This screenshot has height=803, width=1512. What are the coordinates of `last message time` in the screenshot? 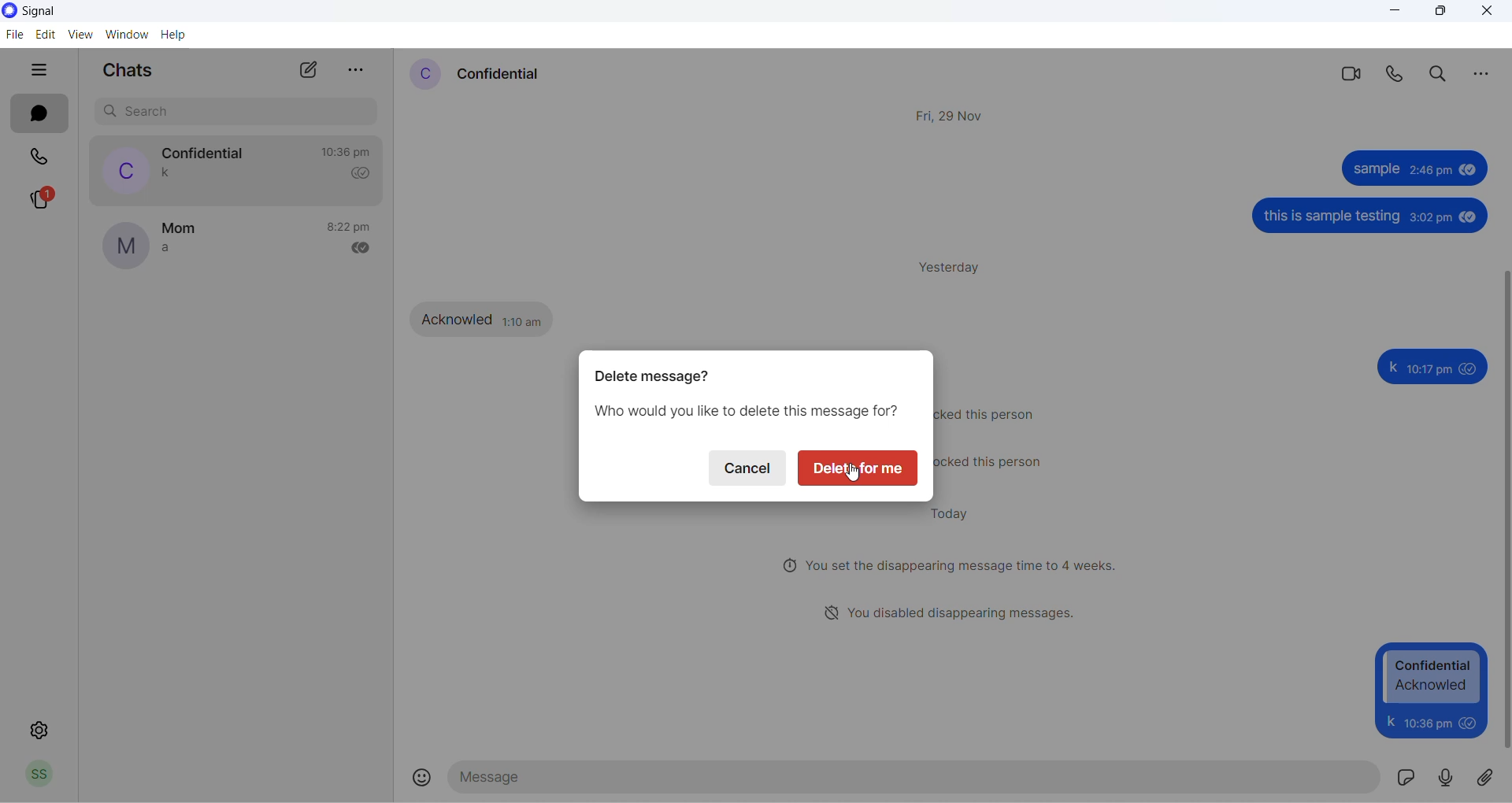 It's located at (352, 225).